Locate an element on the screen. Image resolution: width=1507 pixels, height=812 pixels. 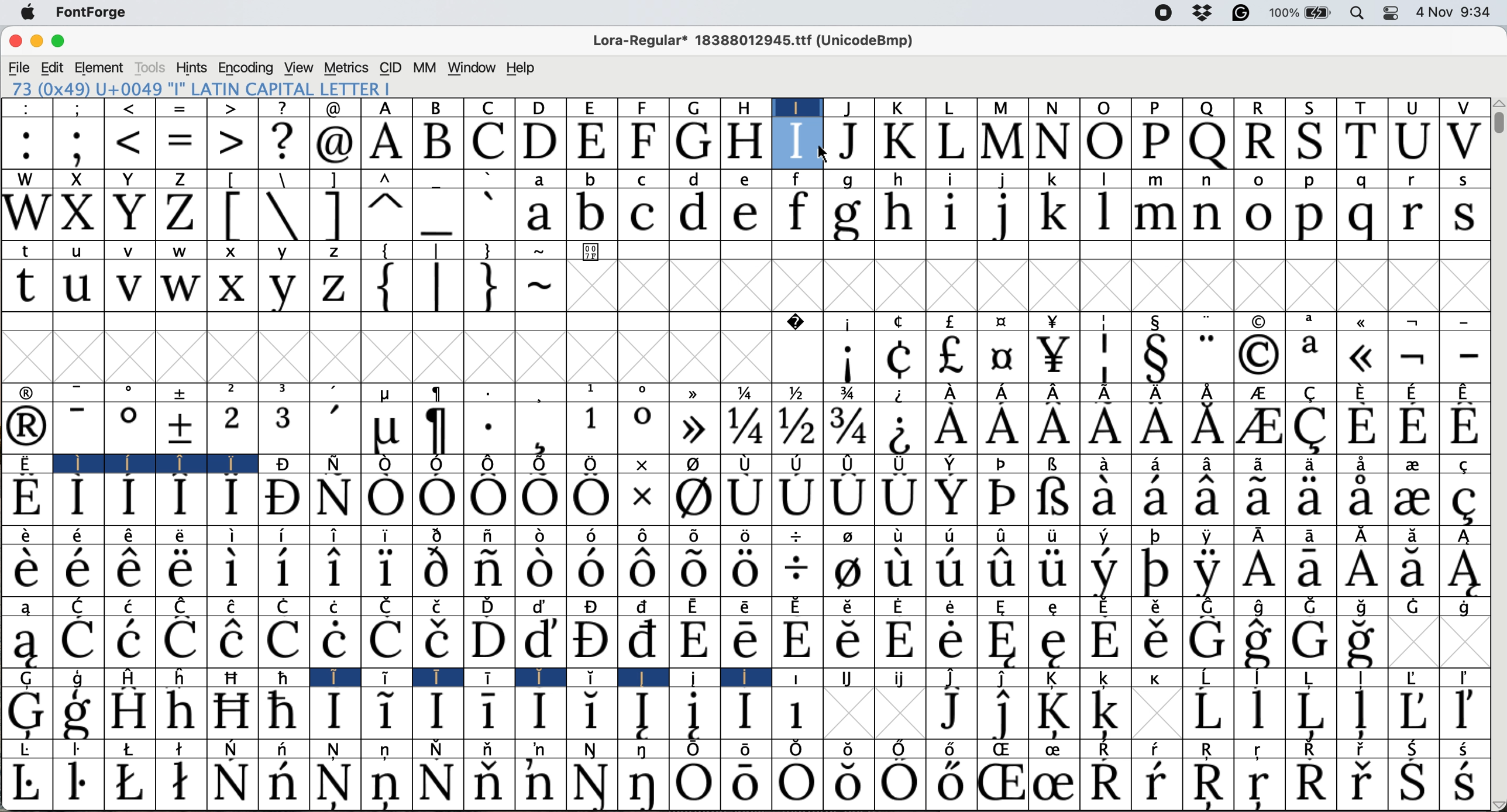
x is located at coordinates (234, 250).